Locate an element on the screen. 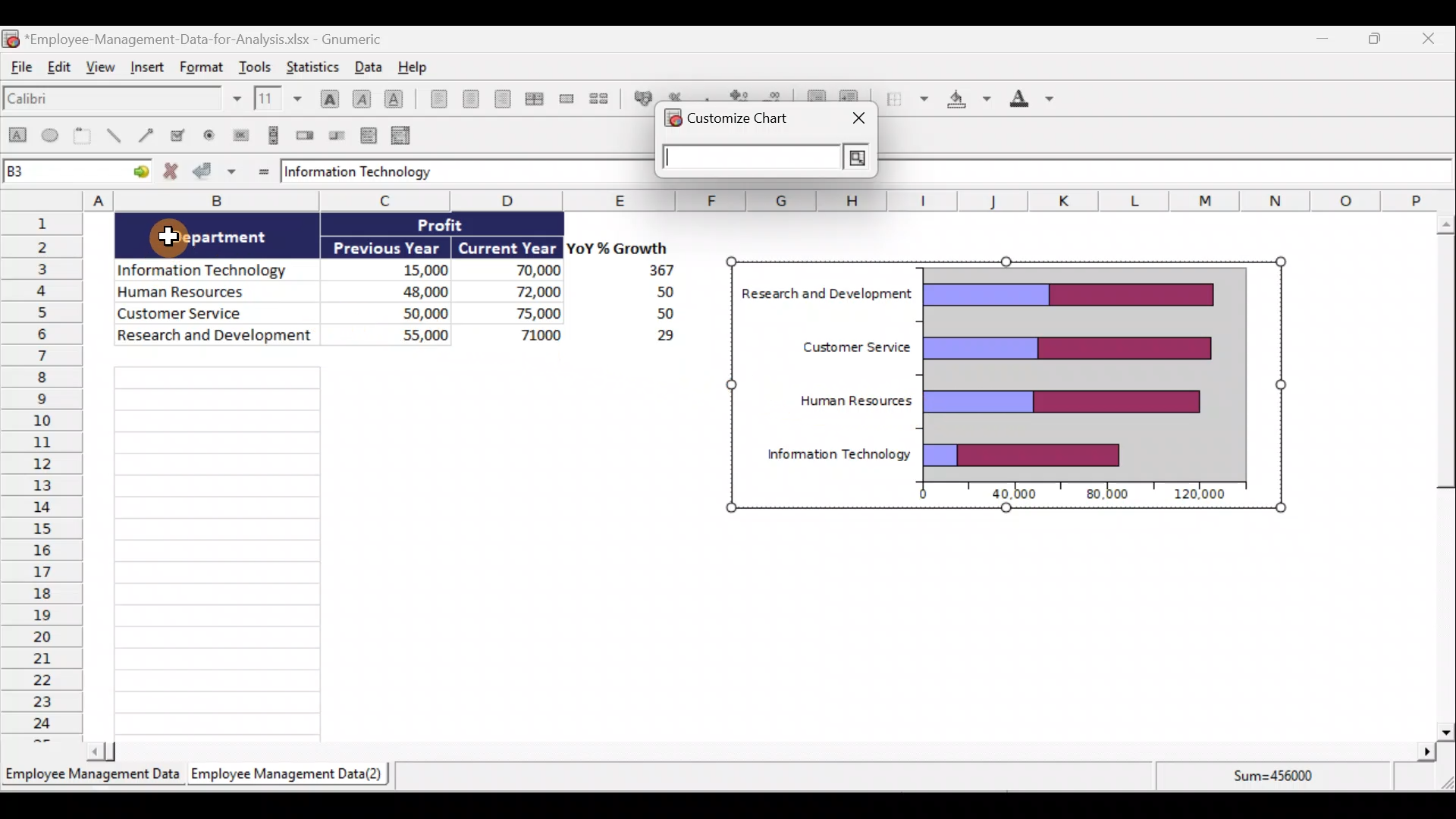 This screenshot has width=1456, height=819. Gnumeric logo is located at coordinates (11, 38).